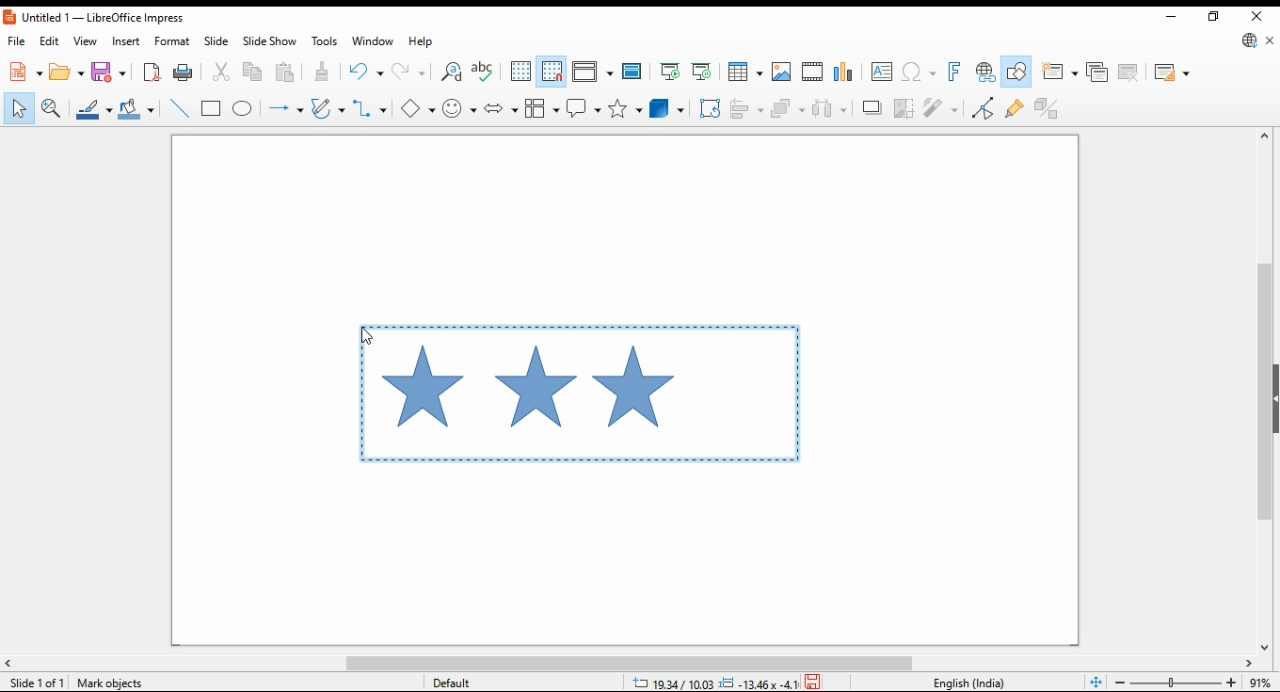 This screenshot has width=1280, height=692. Describe the element at coordinates (286, 108) in the screenshot. I see `lines and arrows` at that location.